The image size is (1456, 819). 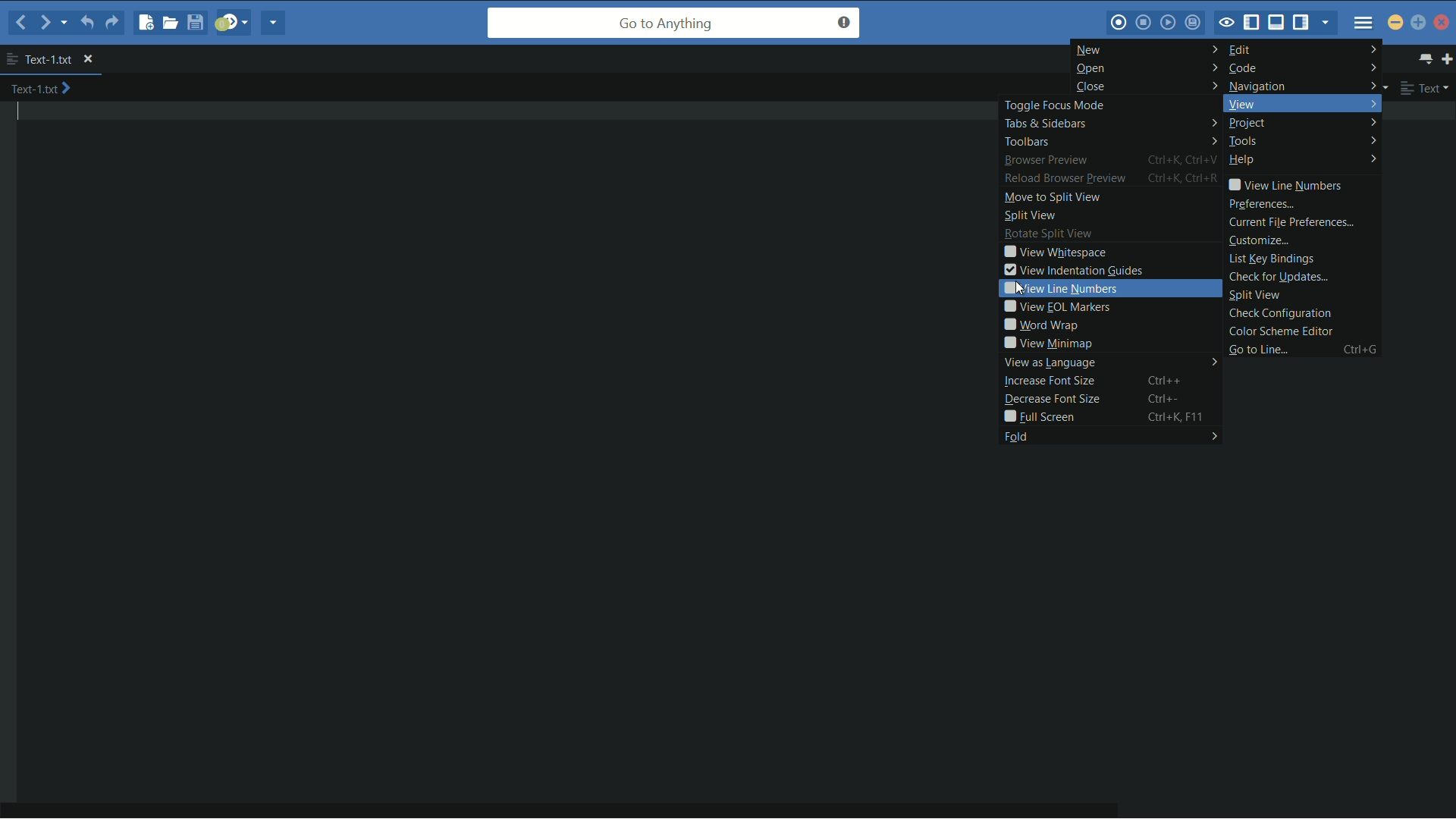 I want to click on show/hide right panel, so click(x=1302, y=24).